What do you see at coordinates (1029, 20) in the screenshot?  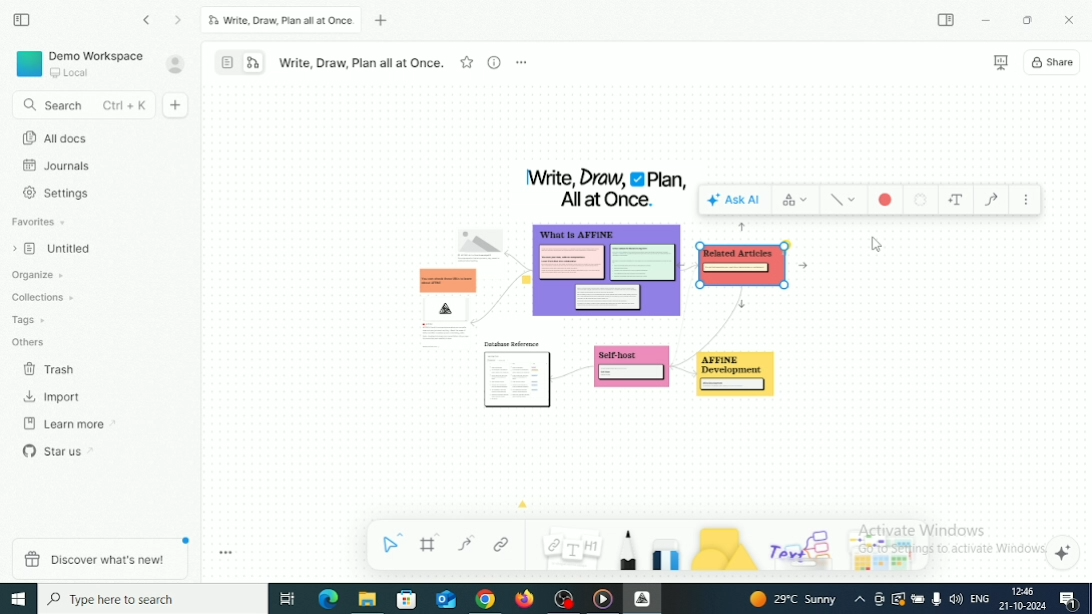 I see `Restore Down` at bounding box center [1029, 20].